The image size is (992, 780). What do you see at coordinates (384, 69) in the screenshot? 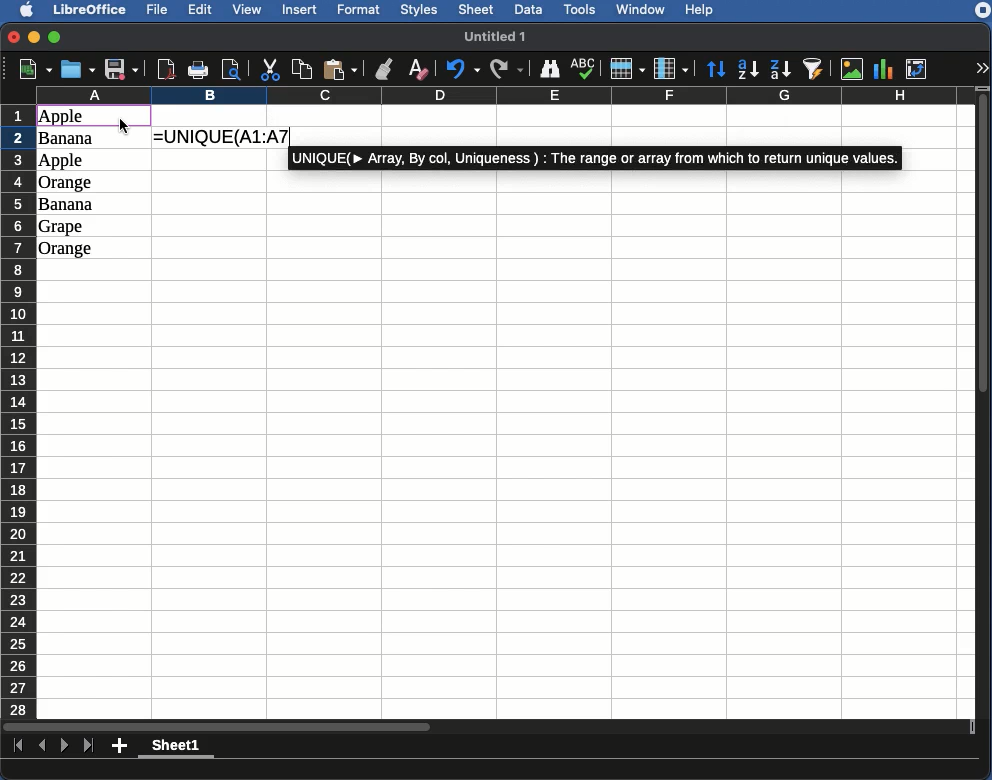
I see `Clone formatting` at bounding box center [384, 69].